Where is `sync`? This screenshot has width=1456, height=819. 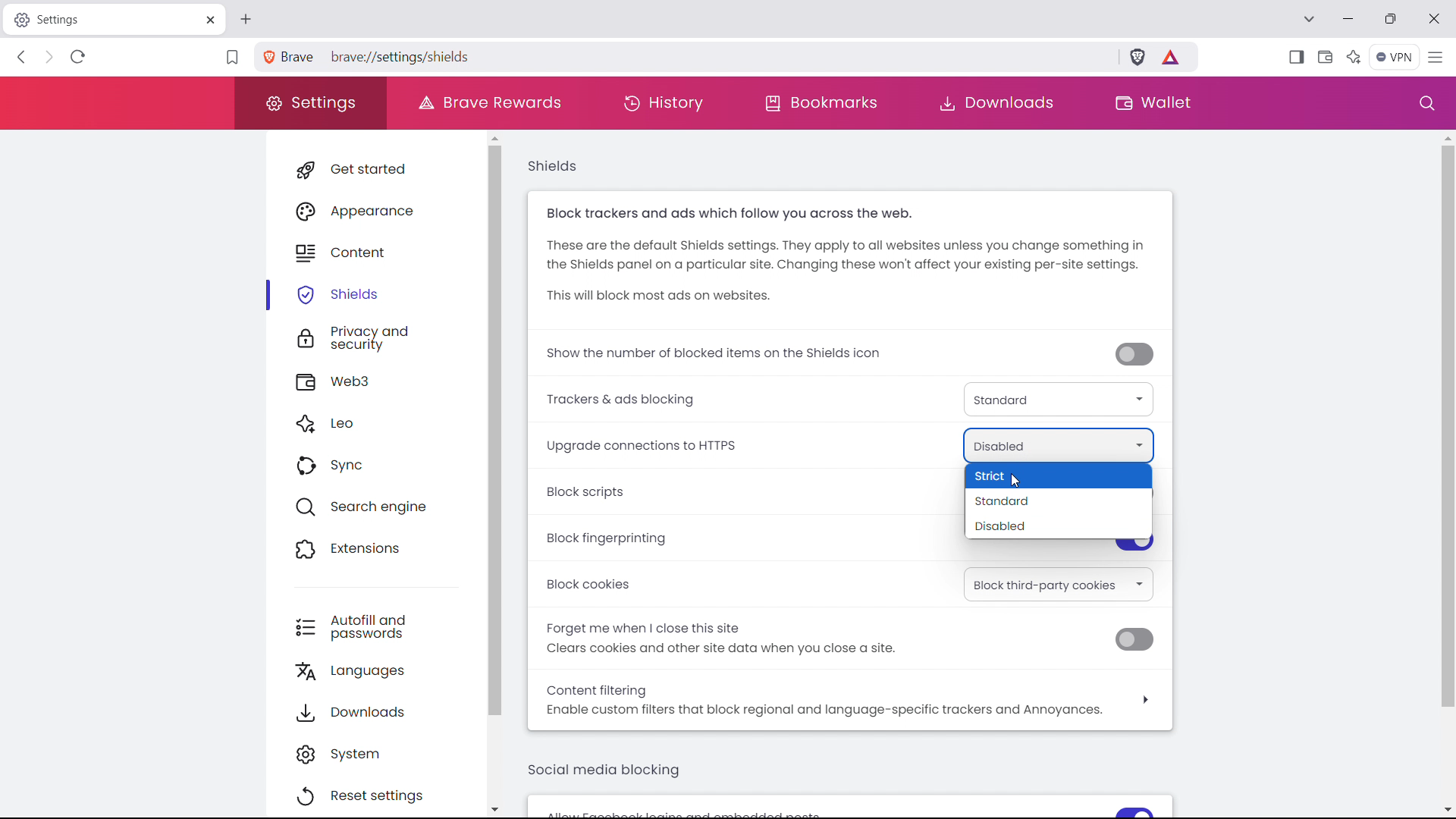
sync is located at coordinates (385, 464).